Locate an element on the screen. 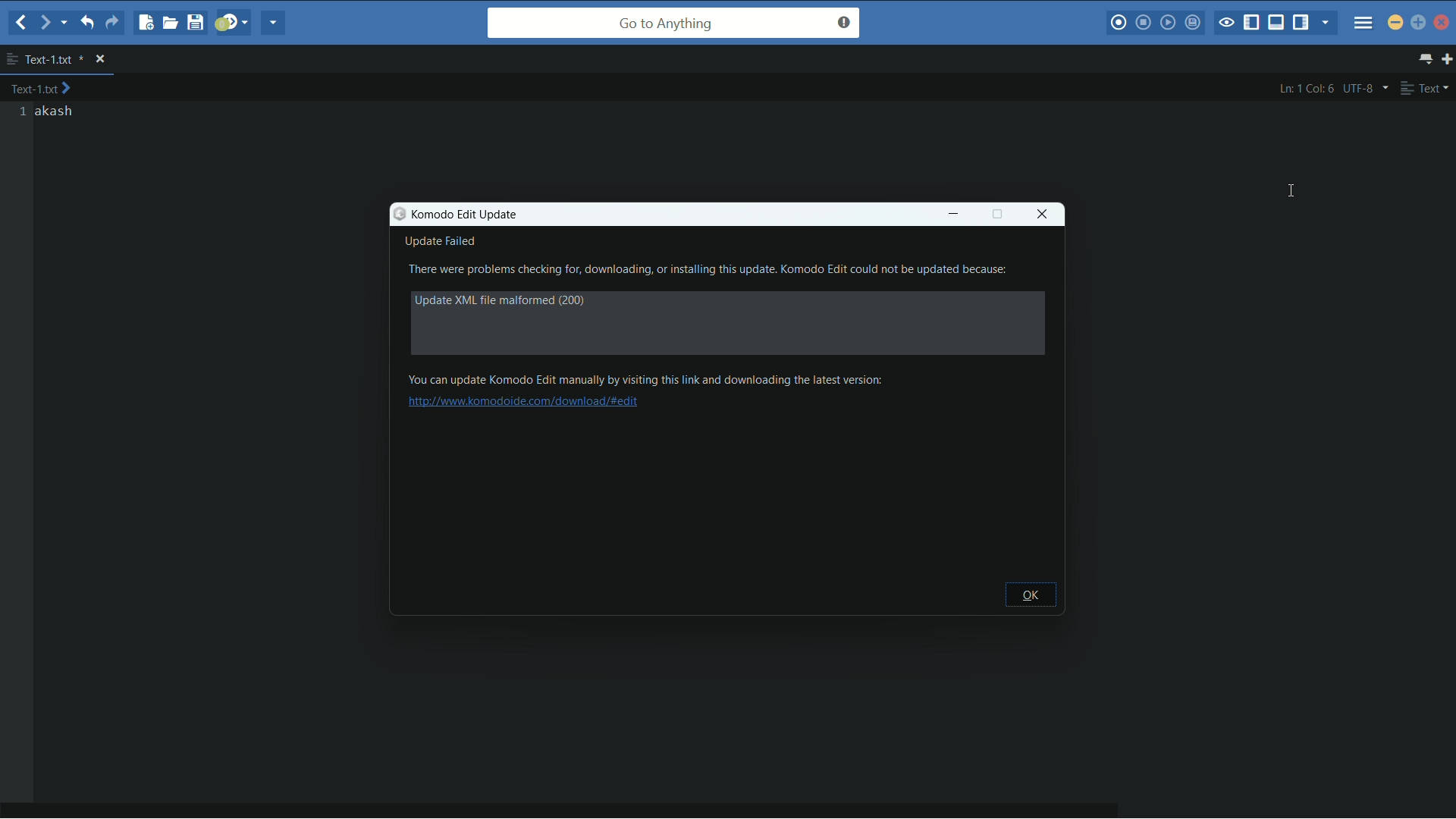 This screenshot has width=1456, height=819. close window is located at coordinates (1043, 214).